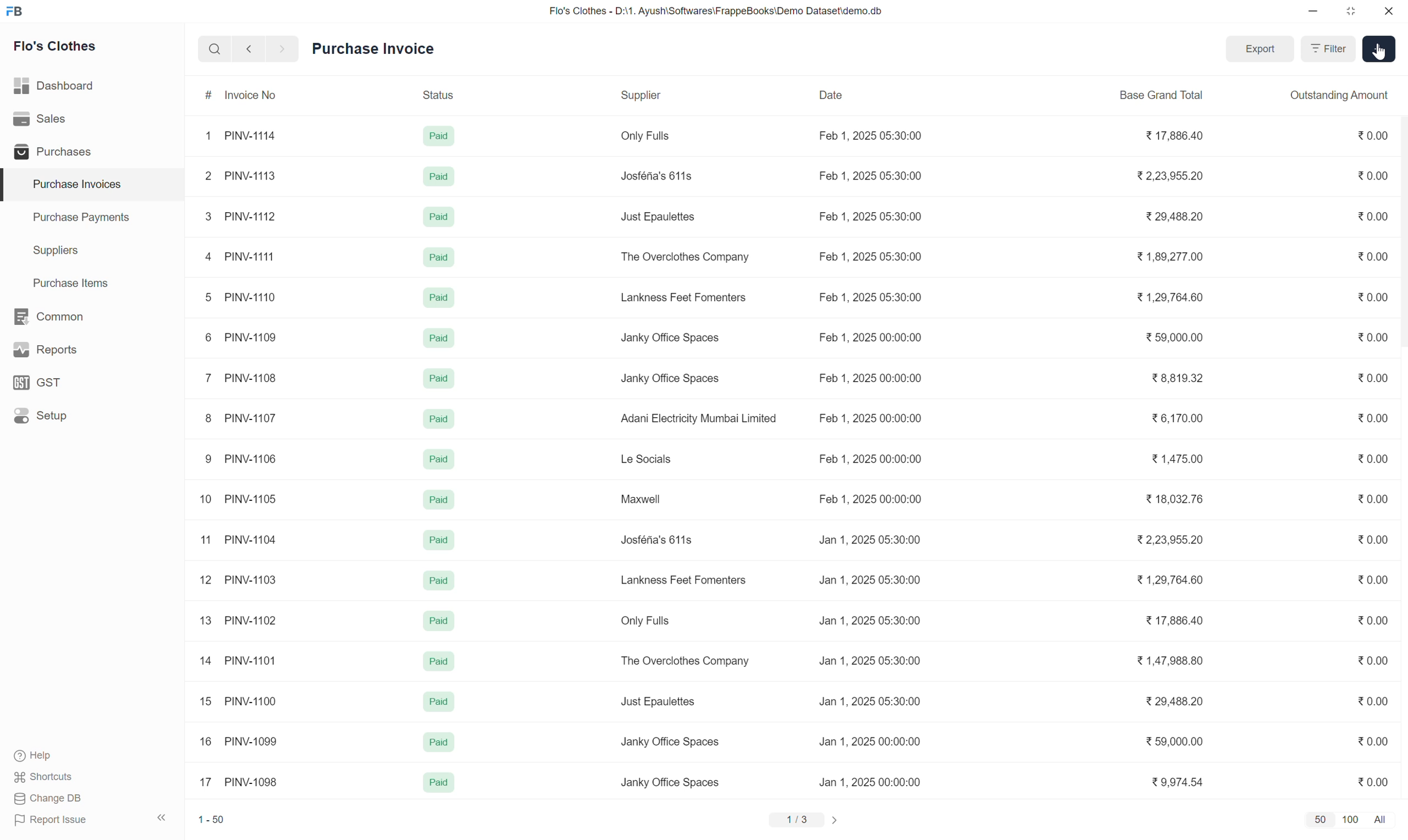 The height and width of the screenshot is (840, 1408). What do you see at coordinates (871, 579) in the screenshot?
I see `Jan 1, 2025 05:30:00` at bounding box center [871, 579].